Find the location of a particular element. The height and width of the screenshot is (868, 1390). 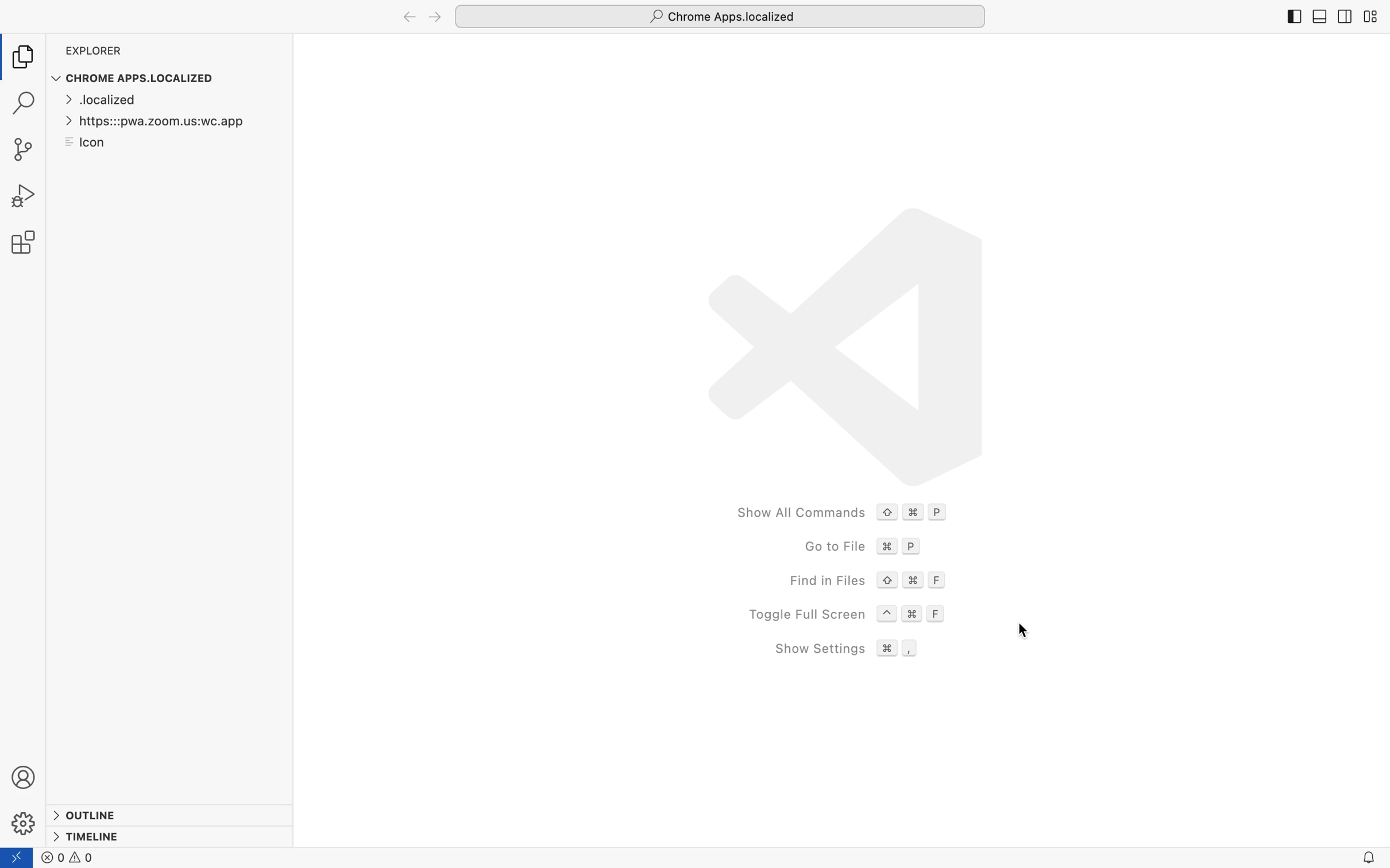

forward is located at coordinates (434, 17).